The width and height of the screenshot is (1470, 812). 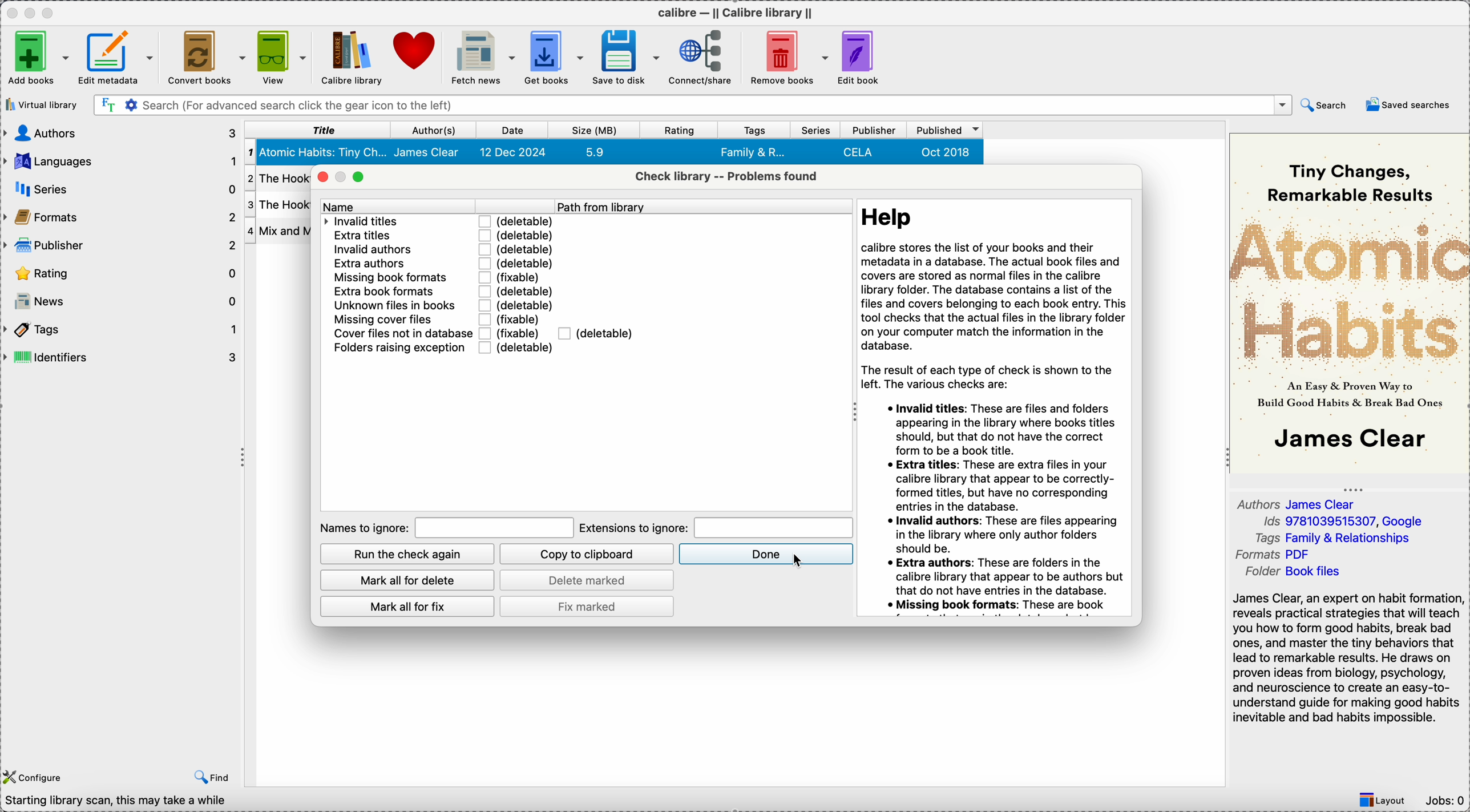 What do you see at coordinates (588, 607) in the screenshot?
I see `disable fix marked` at bounding box center [588, 607].